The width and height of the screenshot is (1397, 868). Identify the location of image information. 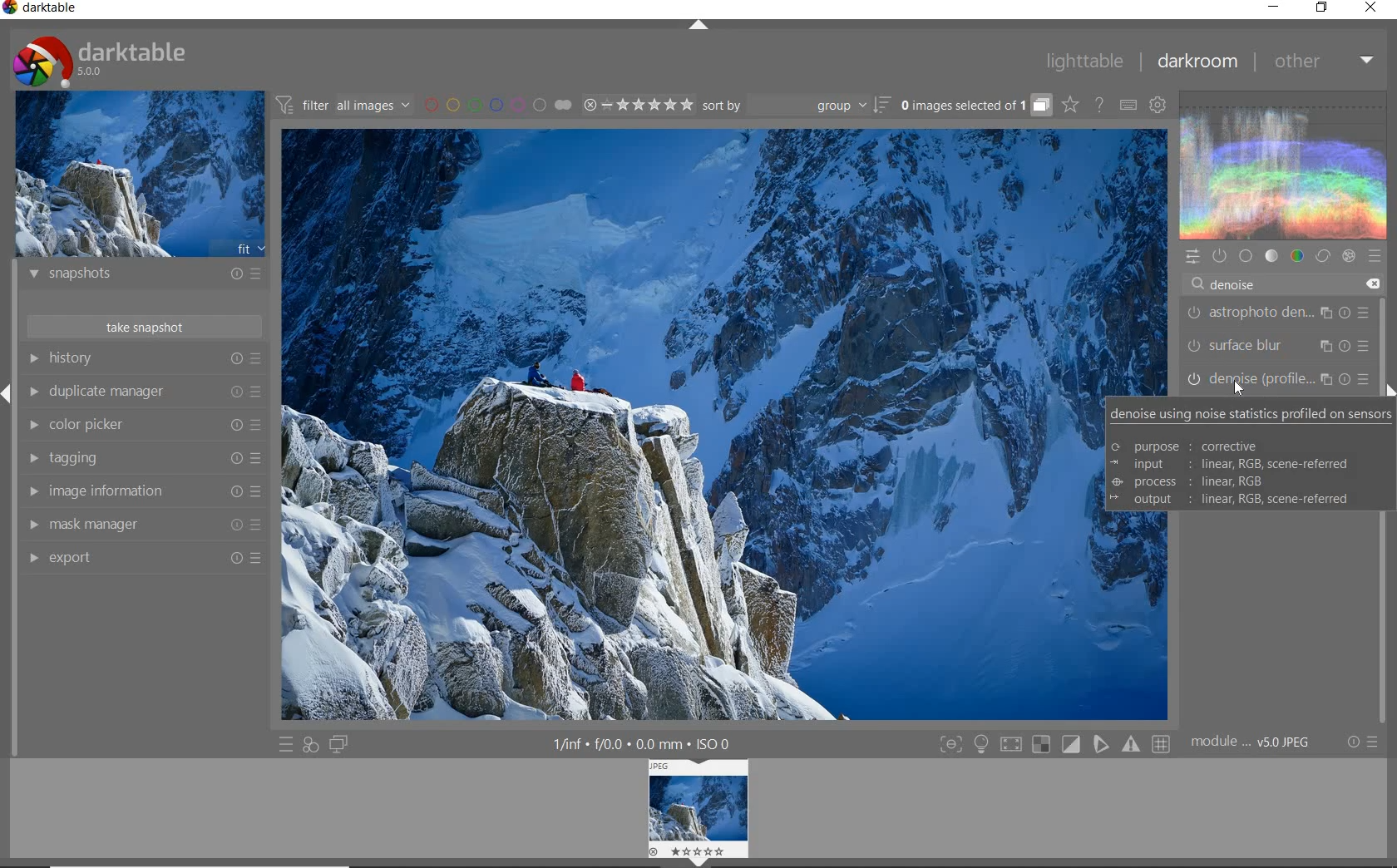
(143, 491).